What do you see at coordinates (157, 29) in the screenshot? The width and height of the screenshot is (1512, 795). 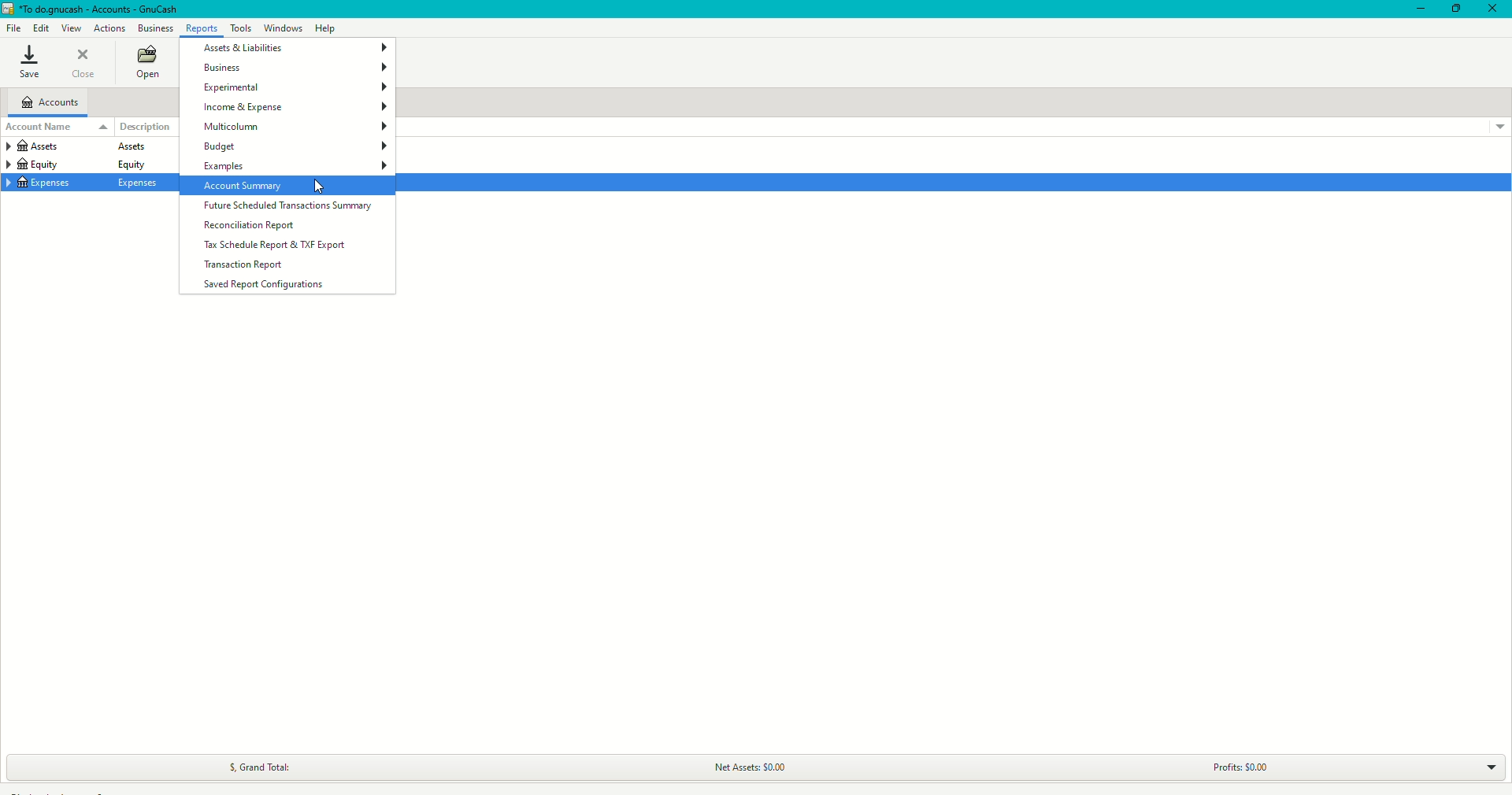 I see `Business` at bounding box center [157, 29].